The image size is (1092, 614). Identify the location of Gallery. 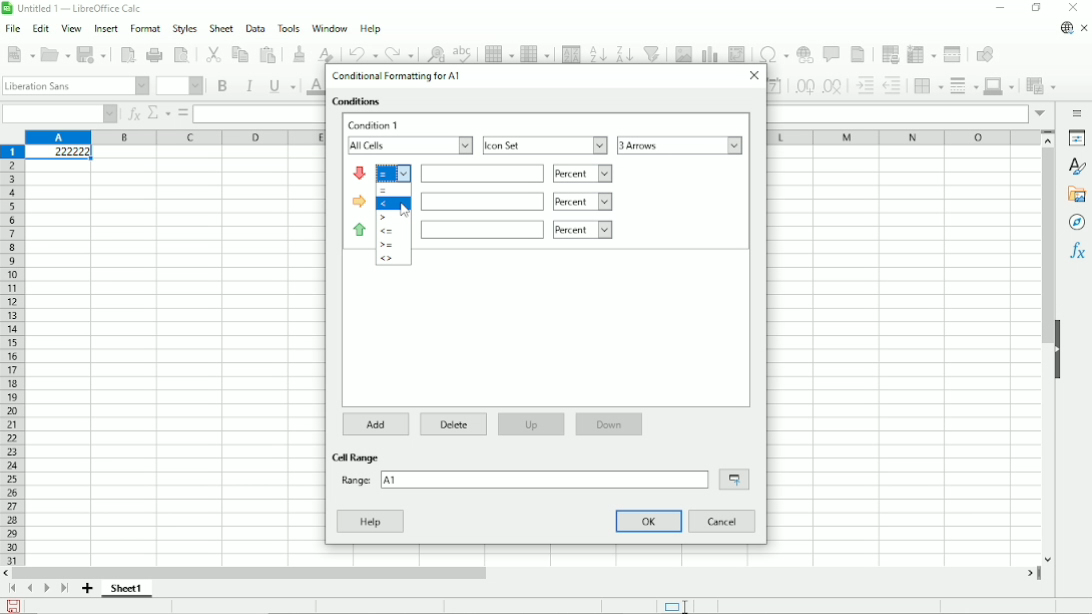
(1077, 194).